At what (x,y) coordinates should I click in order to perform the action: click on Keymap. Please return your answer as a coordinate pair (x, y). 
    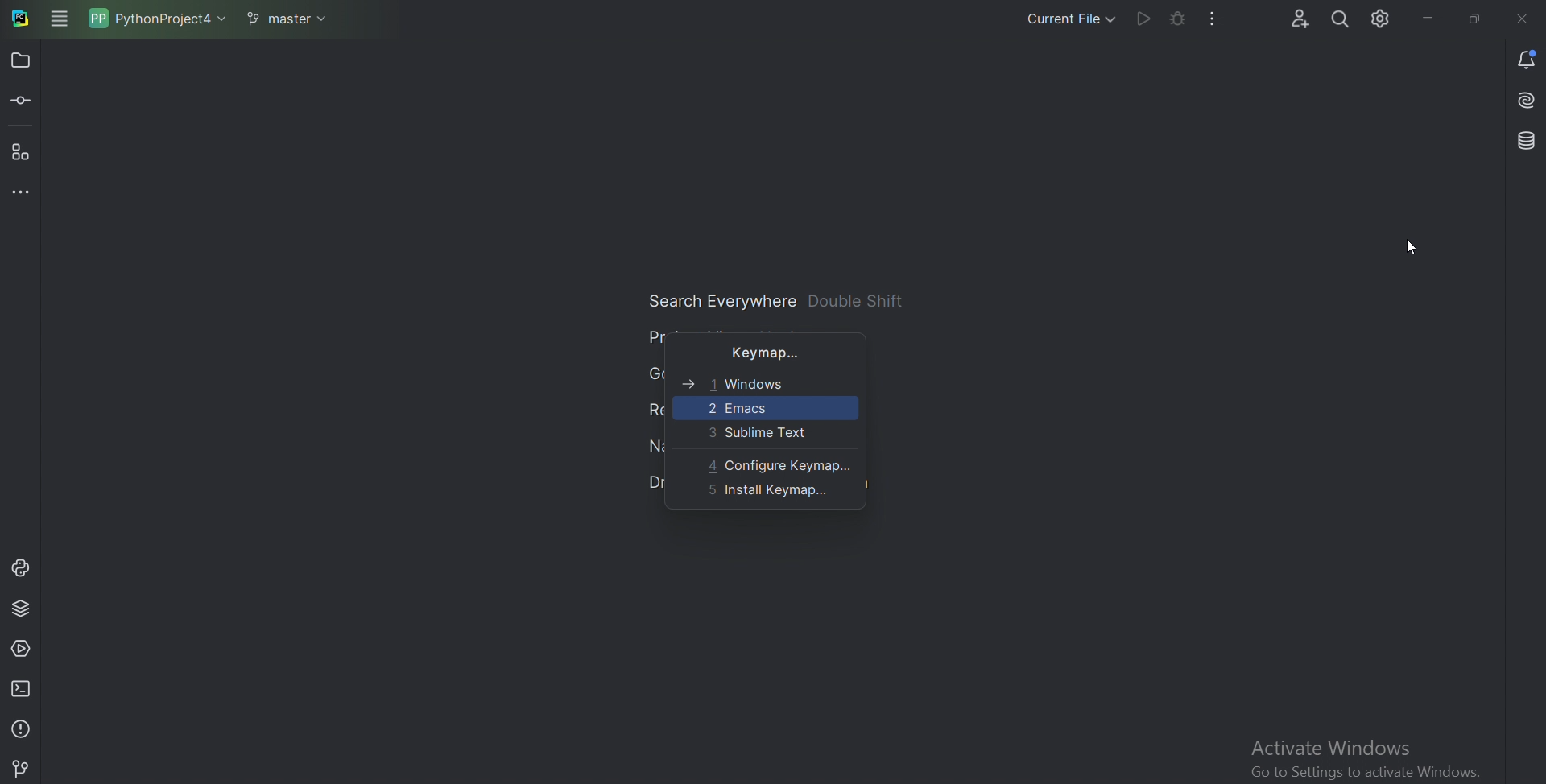
    Looking at the image, I should click on (772, 351).